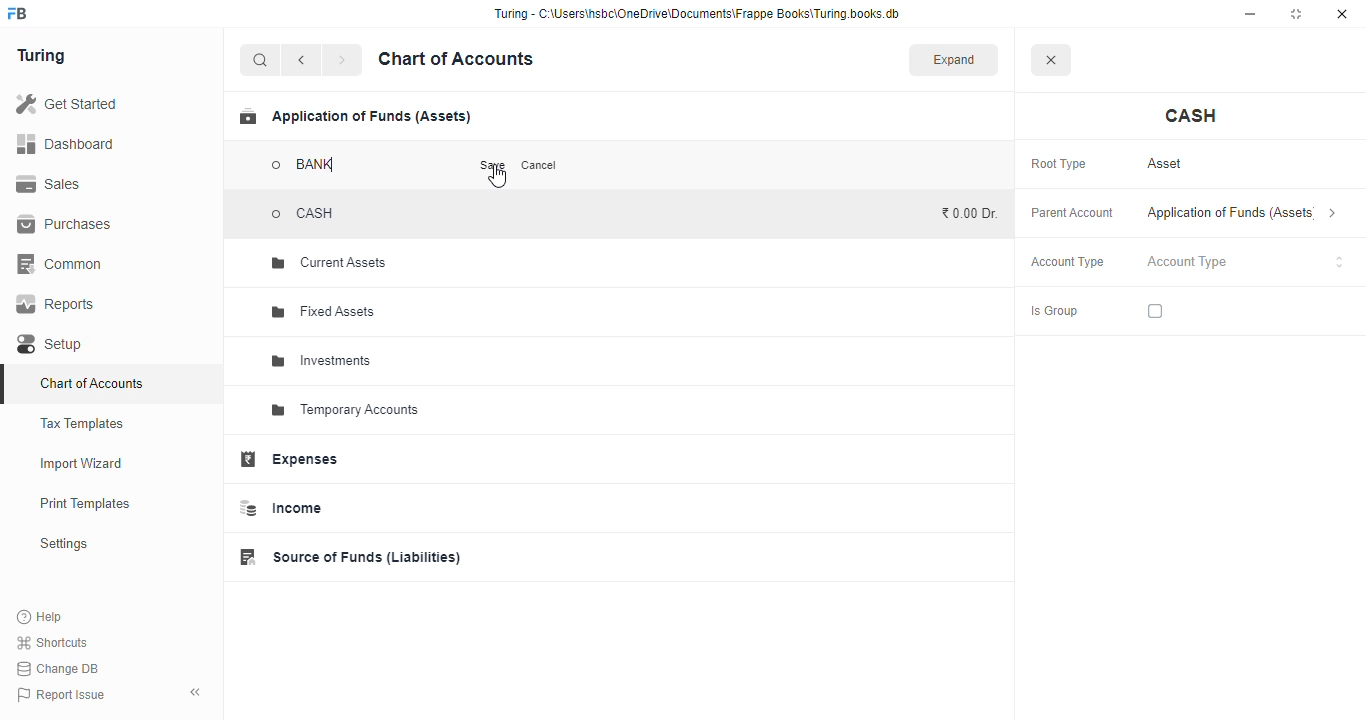  Describe the element at coordinates (1242, 213) in the screenshot. I see `application of funds (assets)` at that location.